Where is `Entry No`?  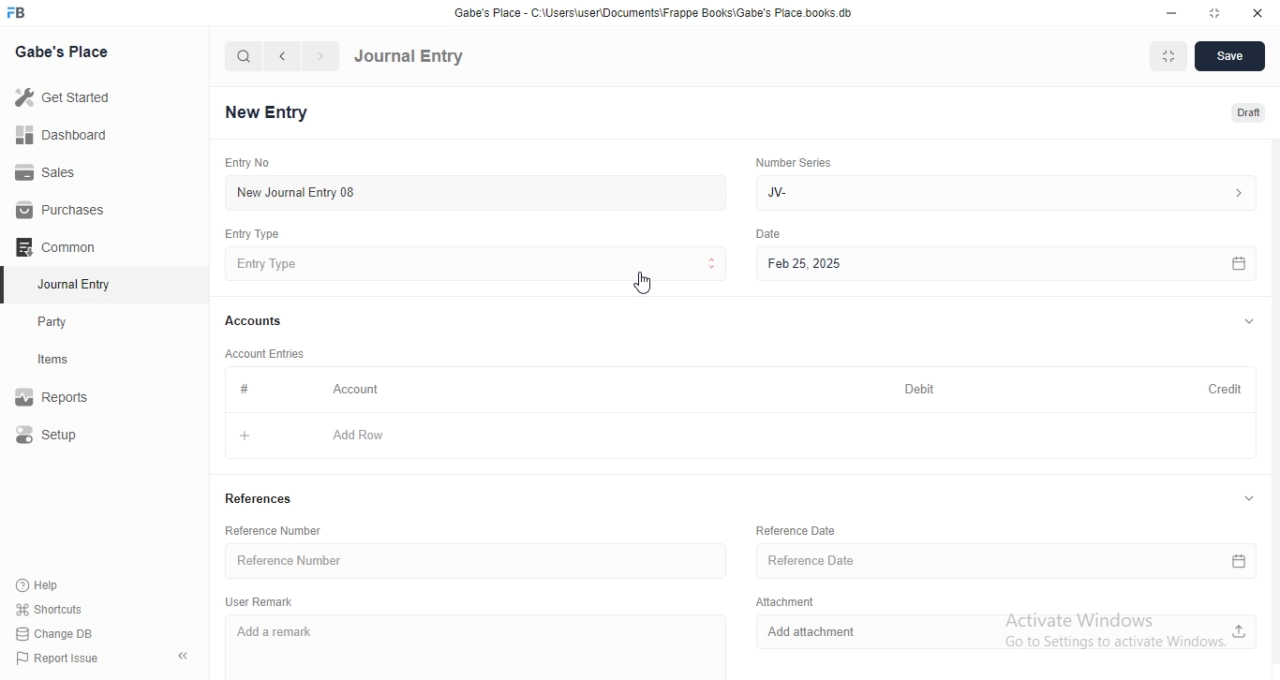 Entry No is located at coordinates (245, 161).